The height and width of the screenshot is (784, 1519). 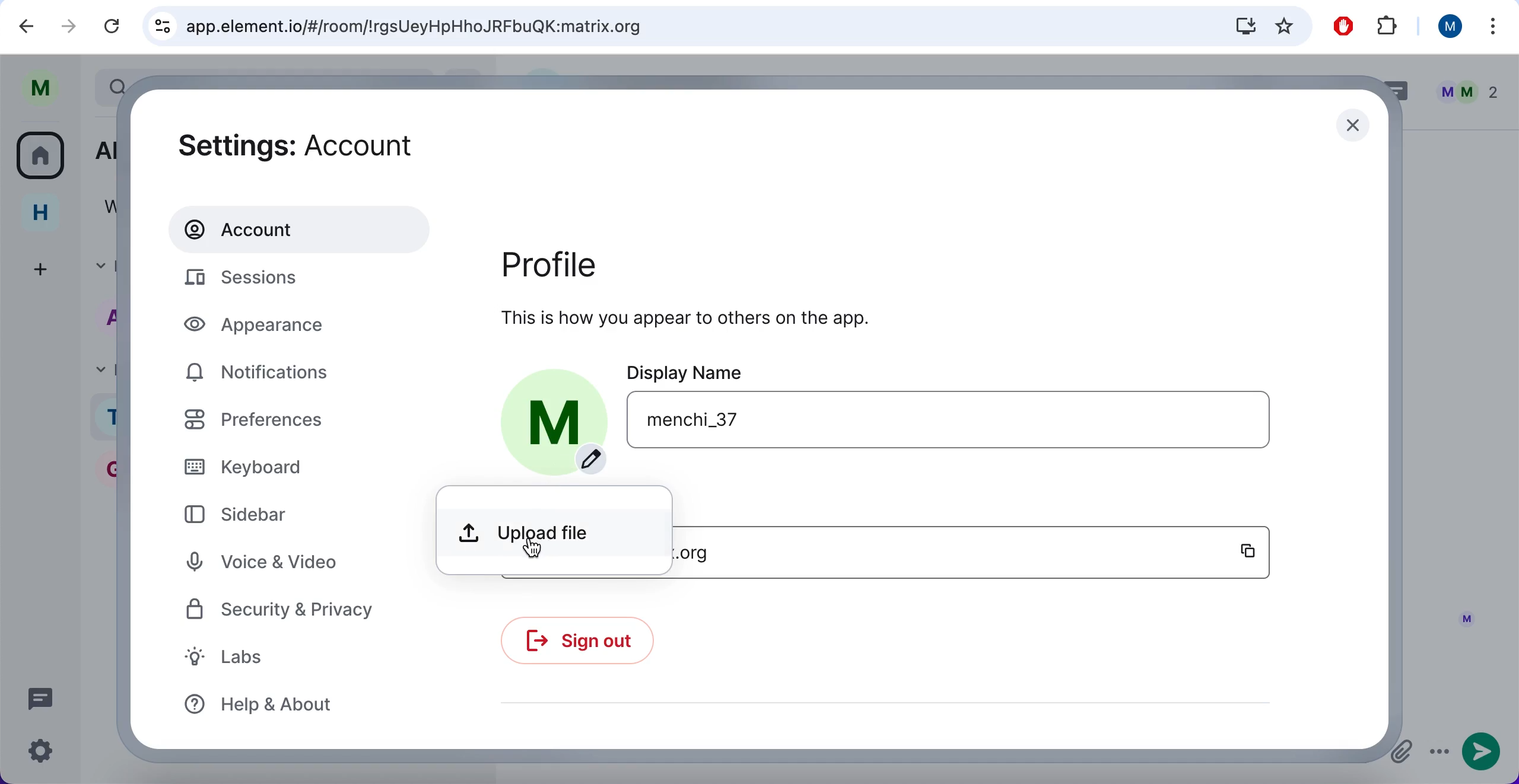 What do you see at coordinates (1353, 125) in the screenshot?
I see `close` at bounding box center [1353, 125].